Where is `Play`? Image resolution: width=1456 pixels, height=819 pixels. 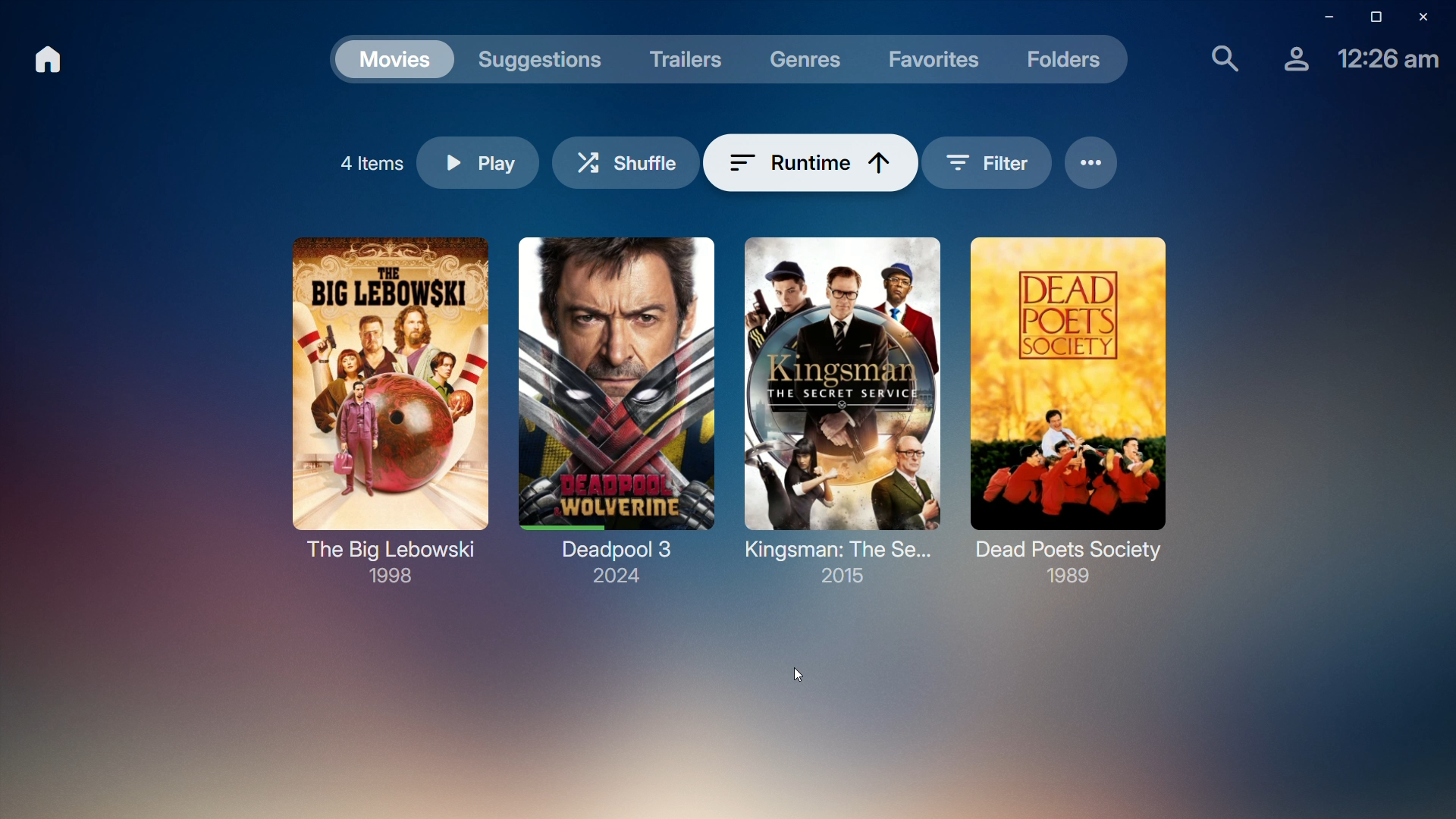 Play is located at coordinates (498, 164).